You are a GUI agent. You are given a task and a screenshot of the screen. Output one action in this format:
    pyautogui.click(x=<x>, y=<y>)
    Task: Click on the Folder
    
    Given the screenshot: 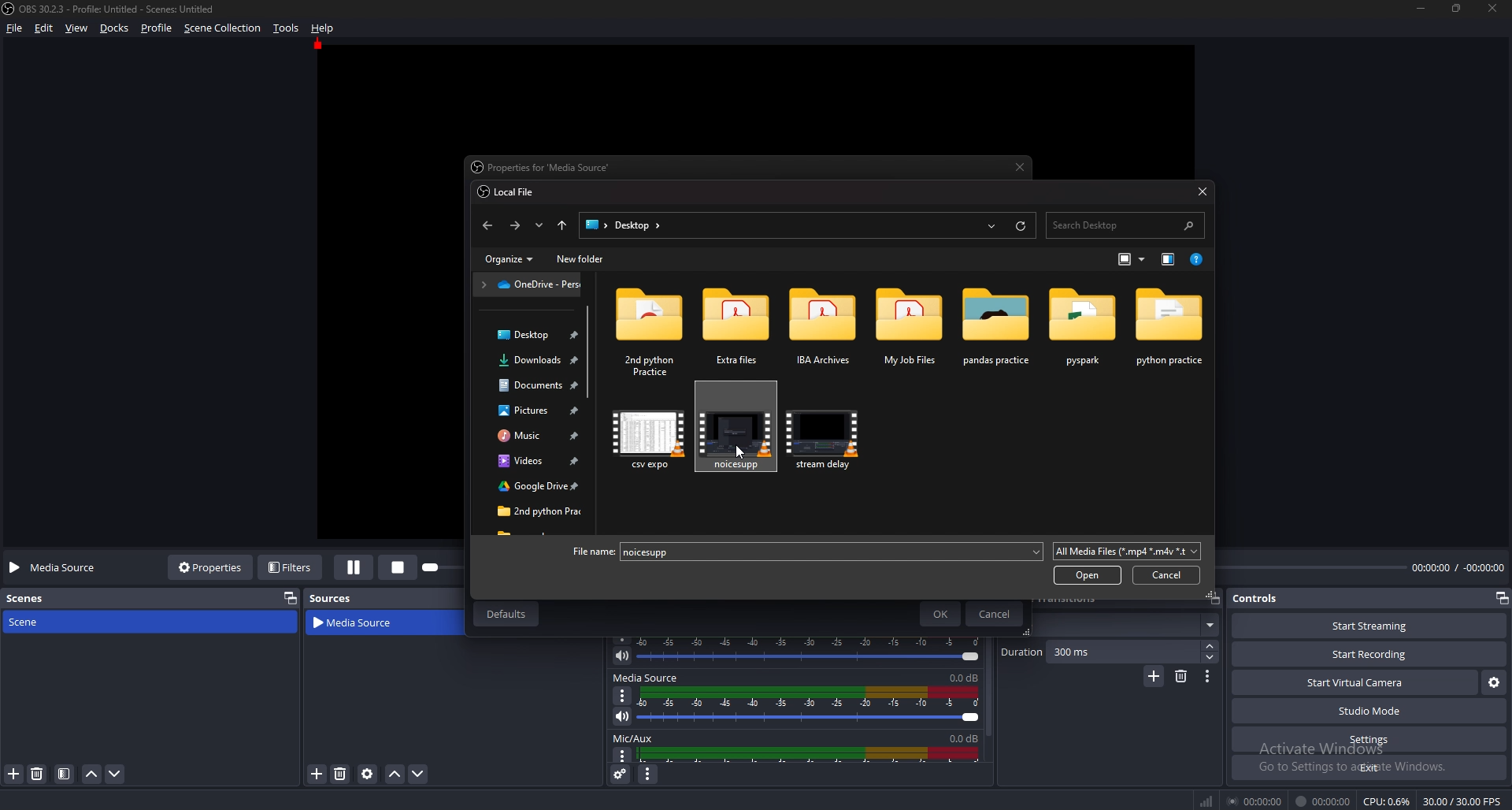 What is the action you would take?
    pyautogui.click(x=528, y=284)
    